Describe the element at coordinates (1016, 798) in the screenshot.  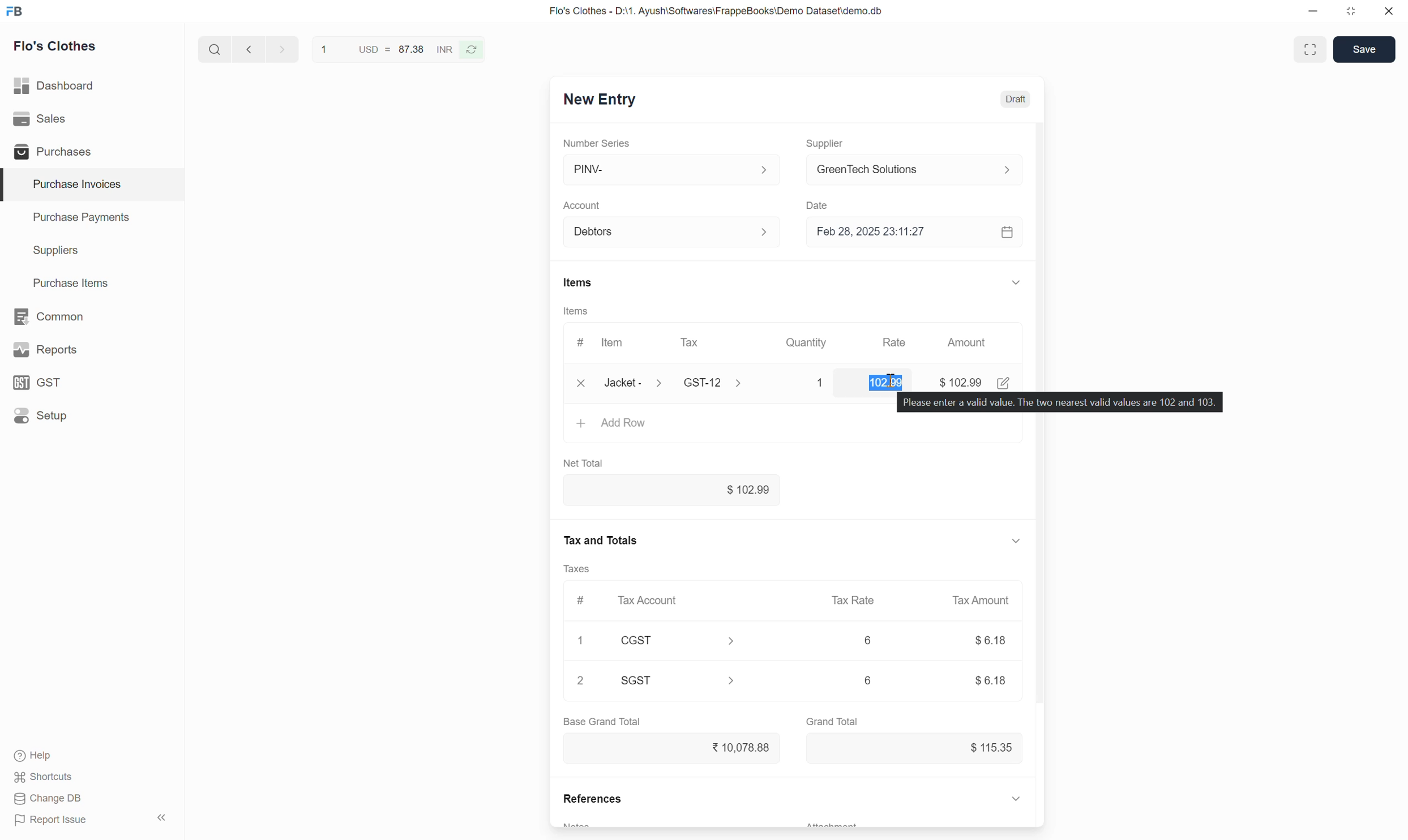
I see `Collapse` at that location.